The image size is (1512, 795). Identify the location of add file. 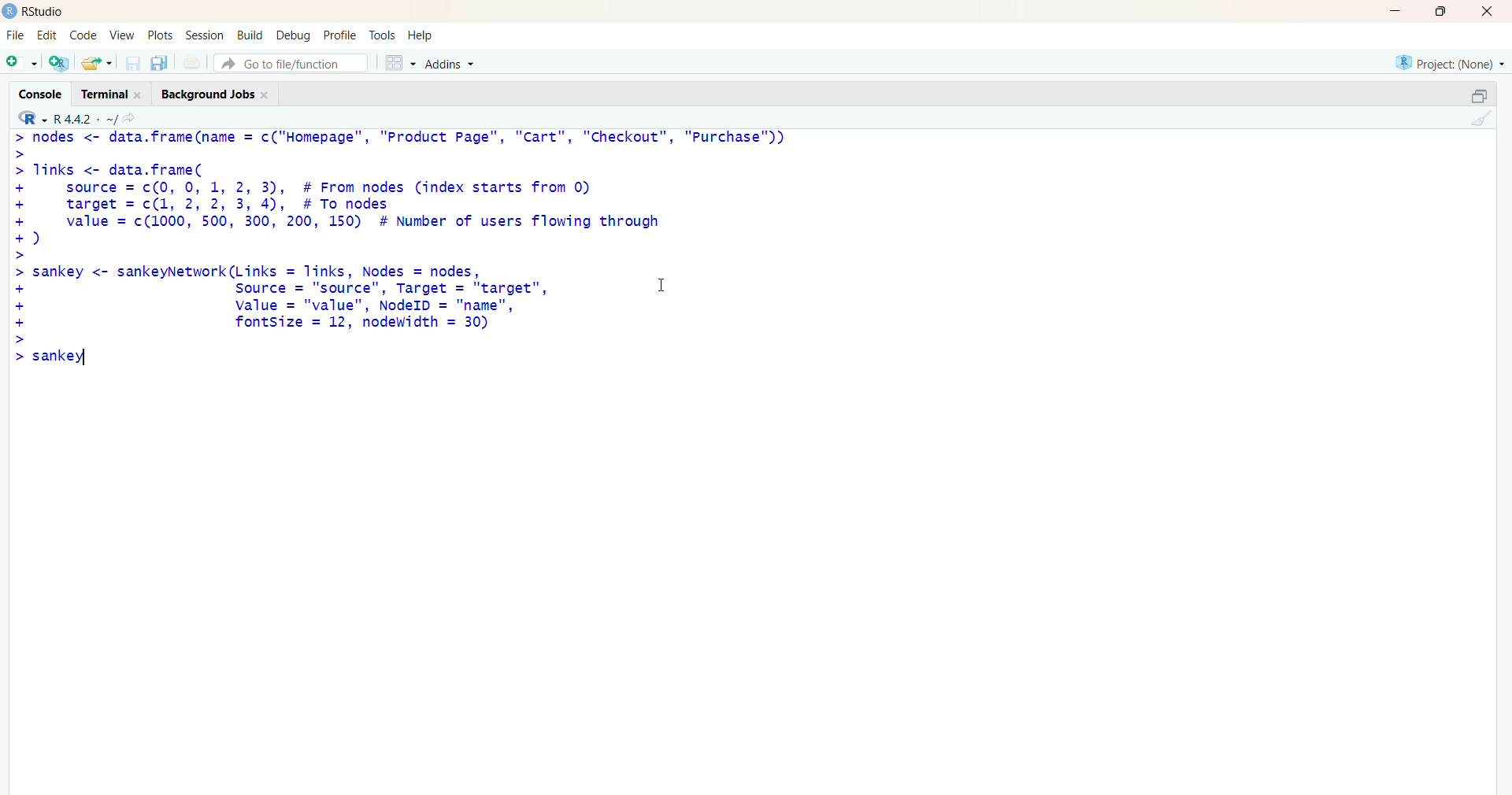
(60, 65).